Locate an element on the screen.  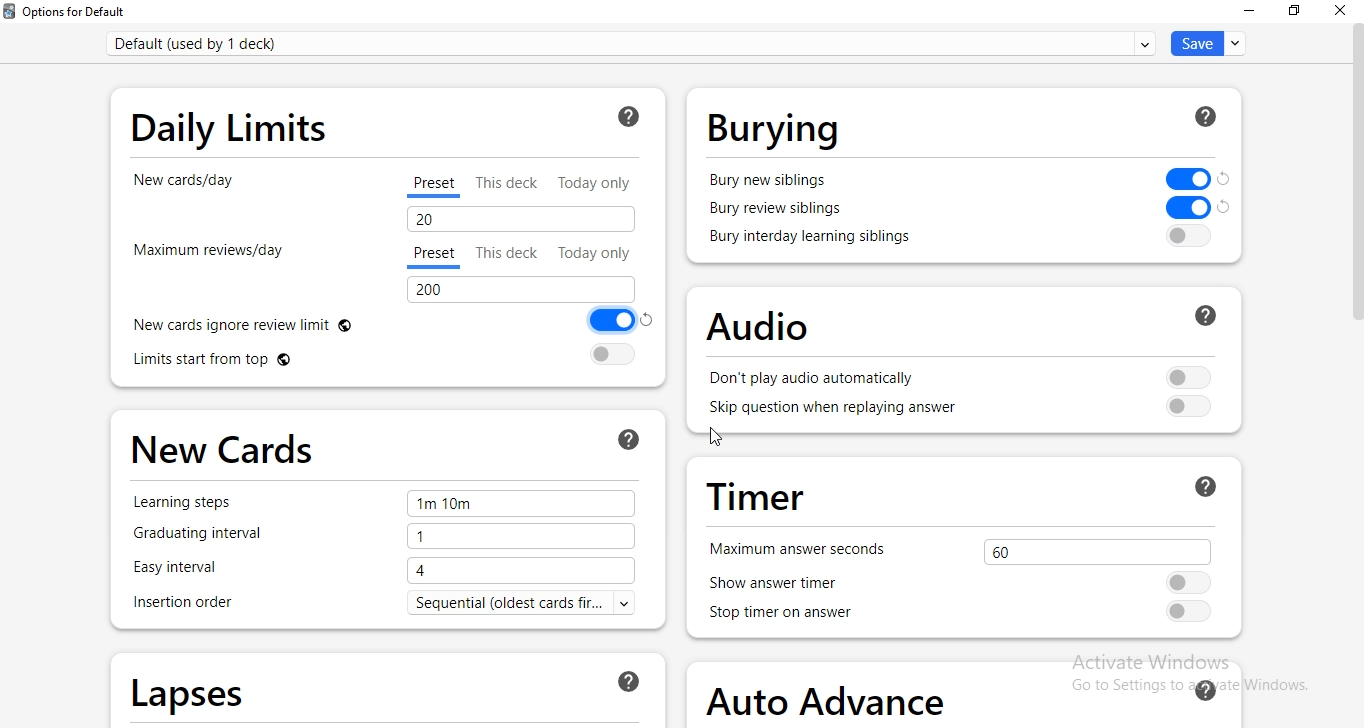
new cards/day is located at coordinates (186, 189).